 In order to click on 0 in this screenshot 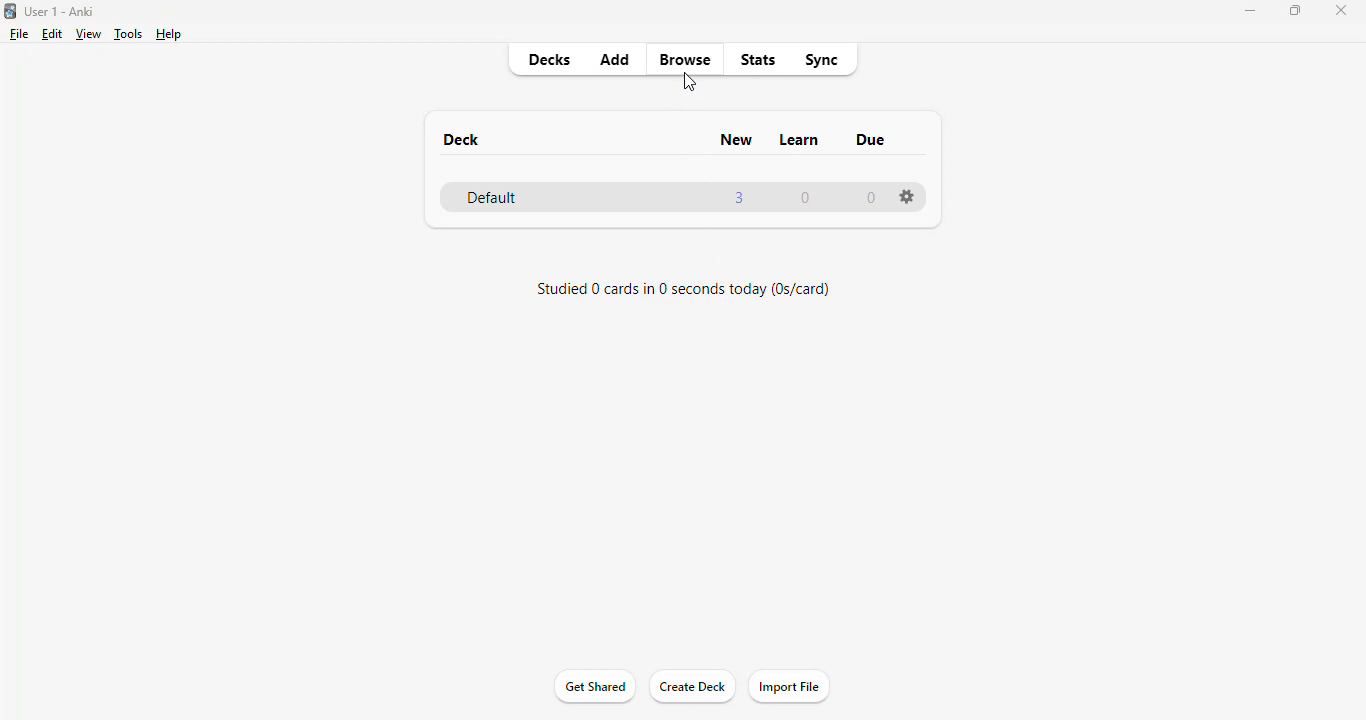, I will do `click(805, 197)`.